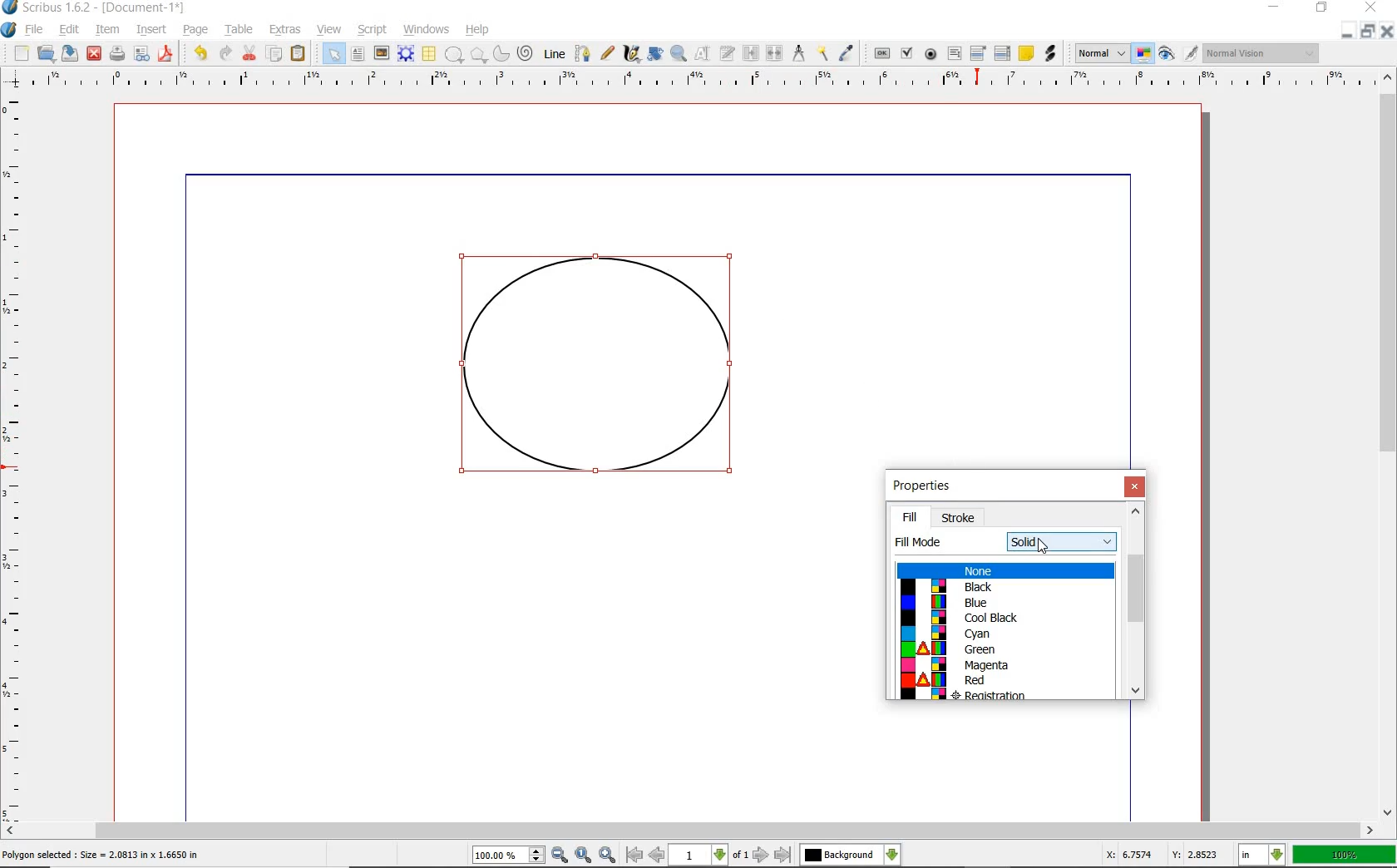 This screenshot has height=868, width=1397. What do you see at coordinates (70, 53) in the screenshot?
I see `SAVE` at bounding box center [70, 53].